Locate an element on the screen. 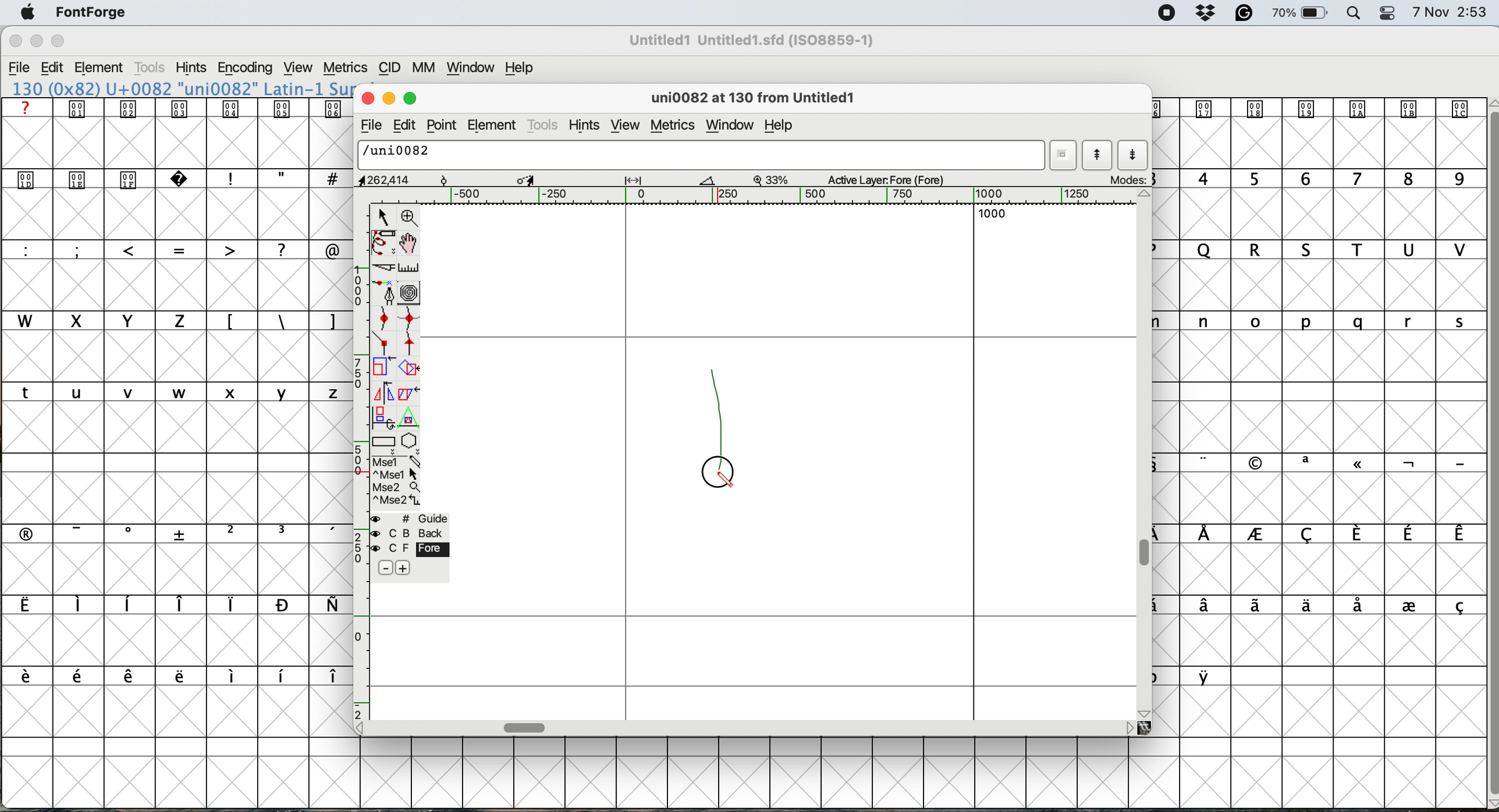  special characters is located at coordinates (1319, 535).